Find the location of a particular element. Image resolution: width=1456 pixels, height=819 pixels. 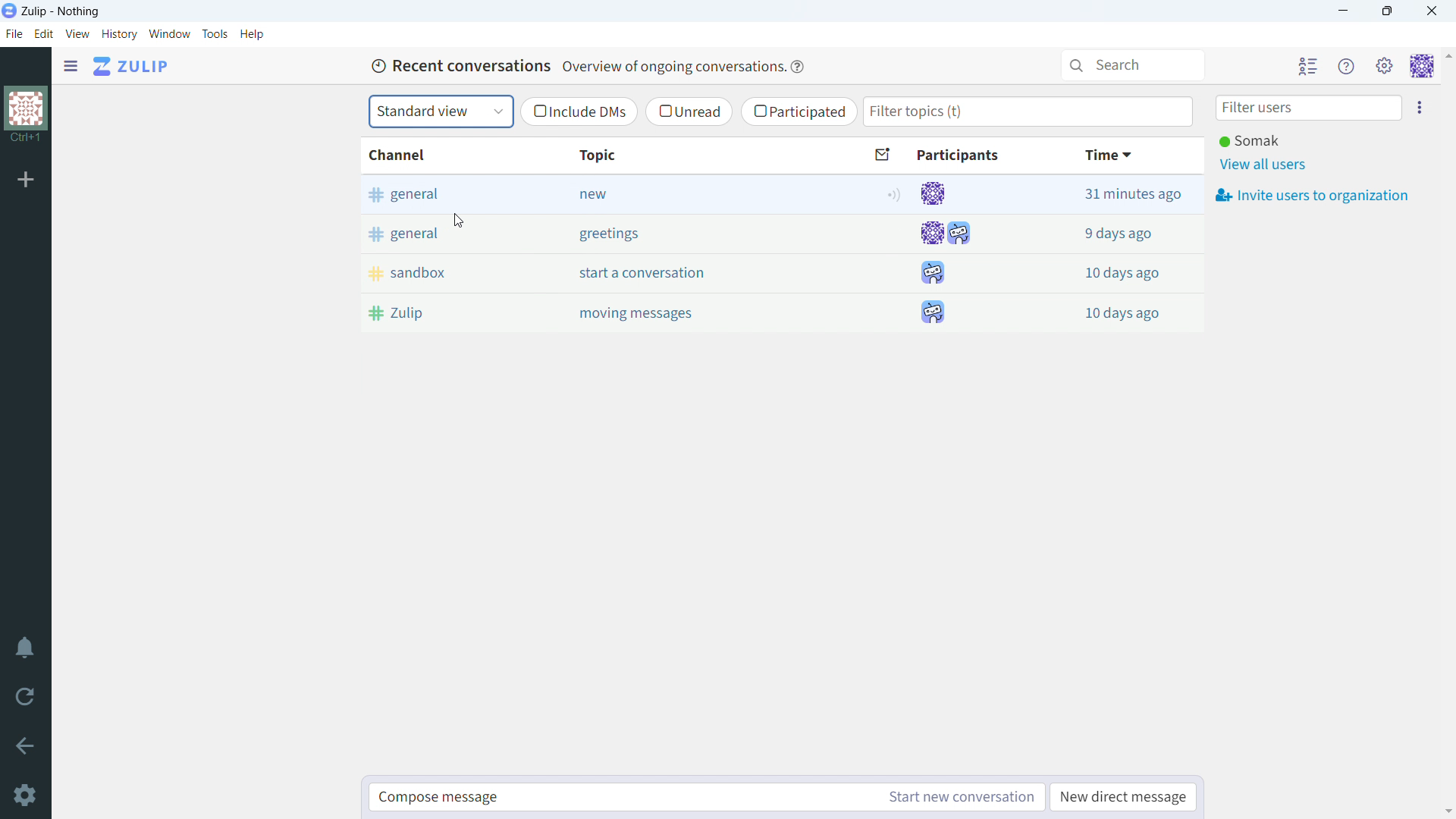

10 days ago is located at coordinates (1123, 273).